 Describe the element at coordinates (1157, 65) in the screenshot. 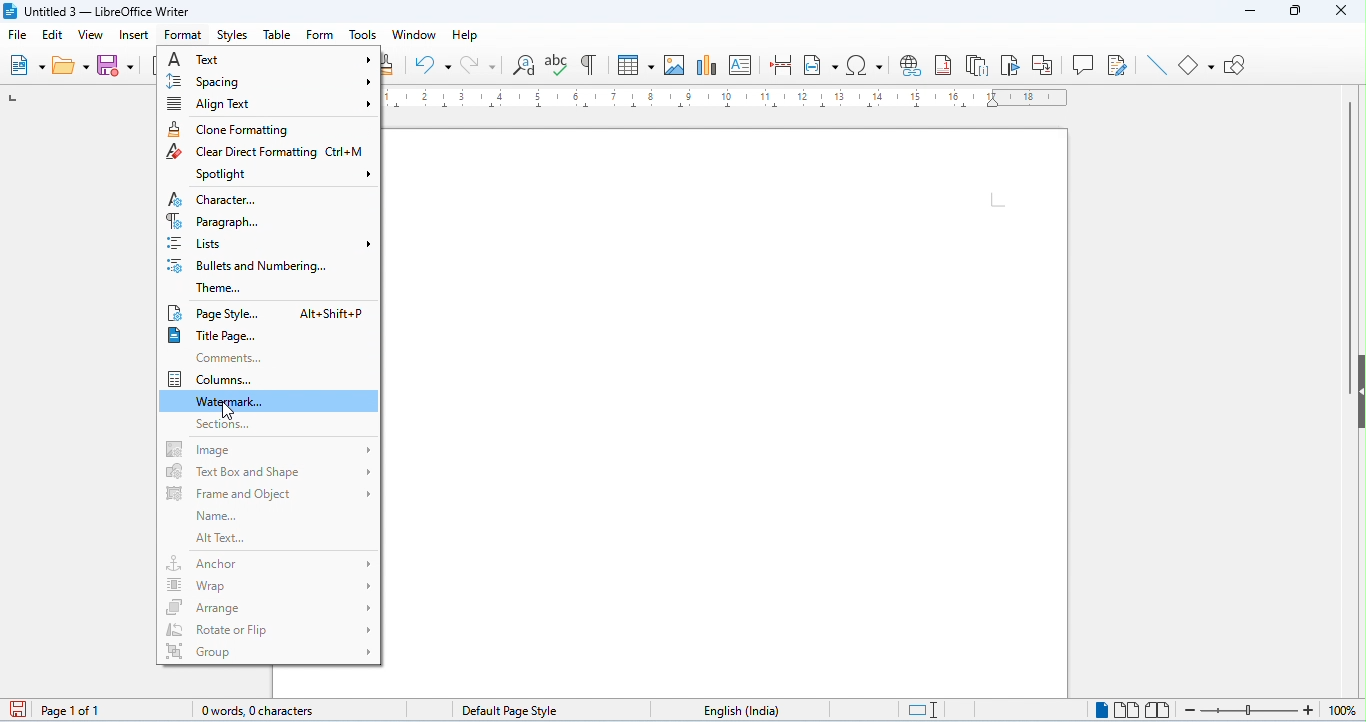

I see `line` at that location.